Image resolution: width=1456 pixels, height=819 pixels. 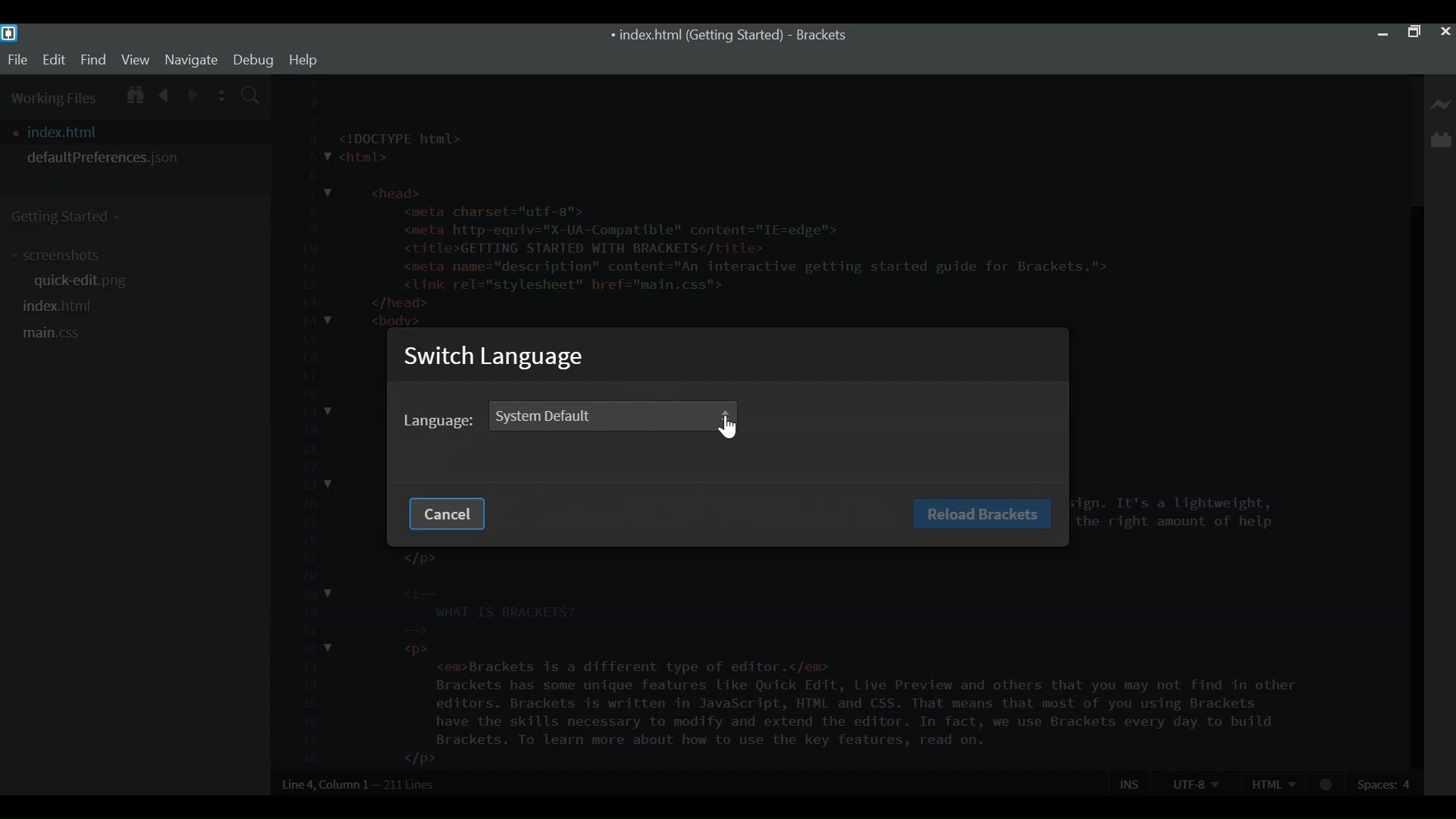 What do you see at coordinates (730, 428) in the screenshot?
I see `Cursor on system default` at bounding box center [730, 428].